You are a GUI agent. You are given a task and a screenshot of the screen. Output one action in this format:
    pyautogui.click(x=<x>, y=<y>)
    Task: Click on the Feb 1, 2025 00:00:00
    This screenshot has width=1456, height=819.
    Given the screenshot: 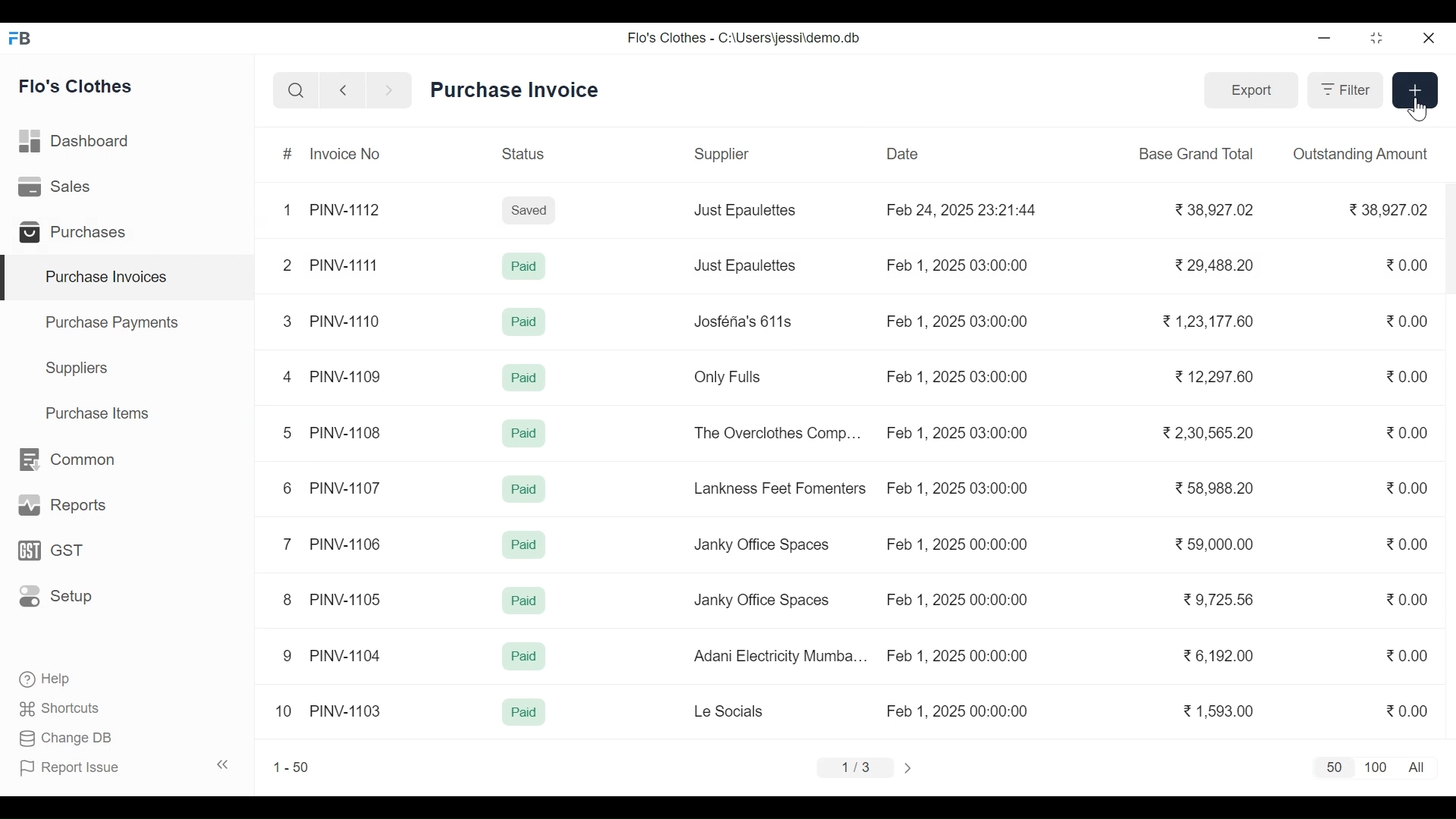 What is the action you would take?
    pyautogui.click(x=958, y=655)
    